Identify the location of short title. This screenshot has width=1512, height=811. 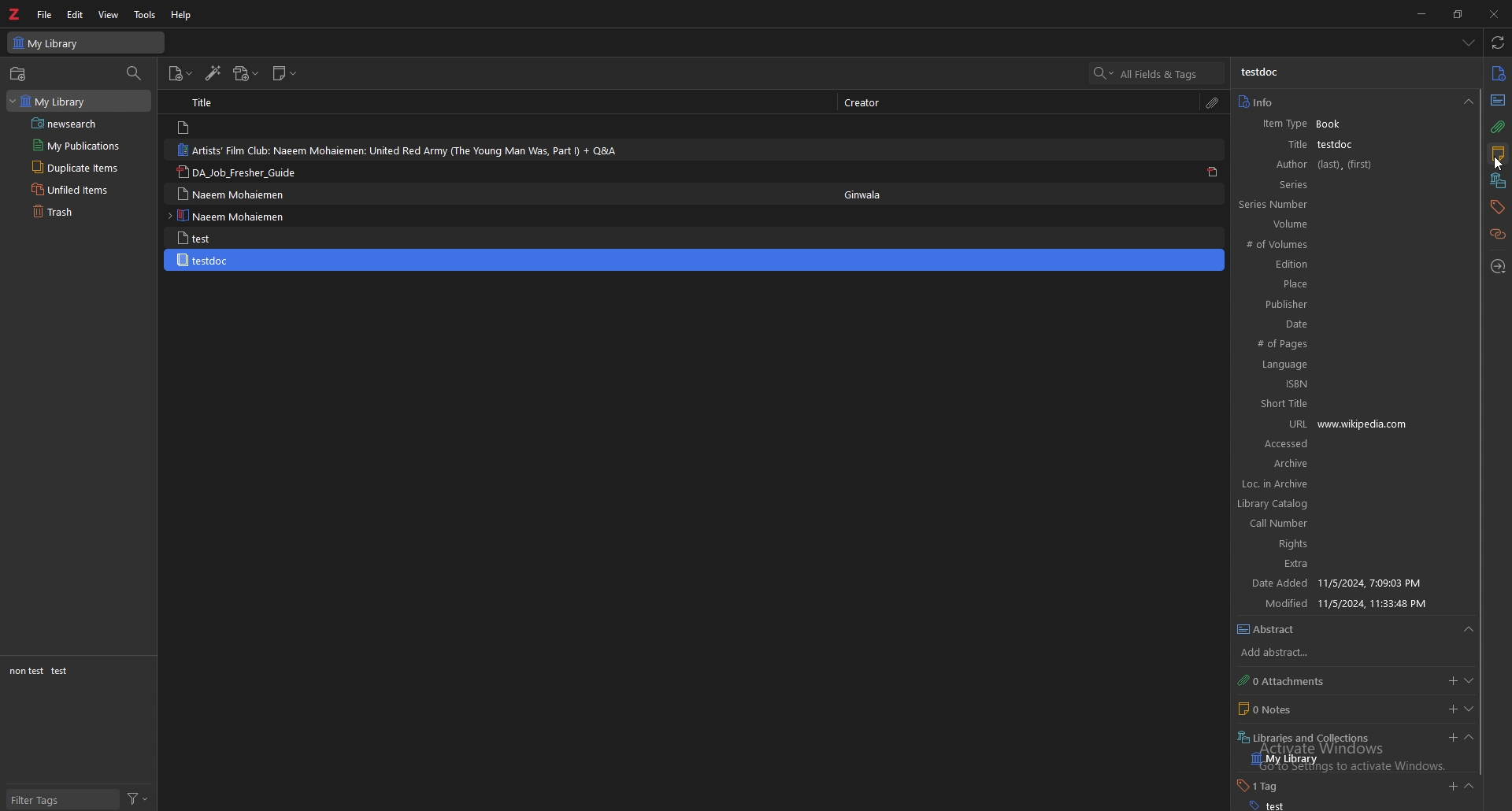
(1343, 403).